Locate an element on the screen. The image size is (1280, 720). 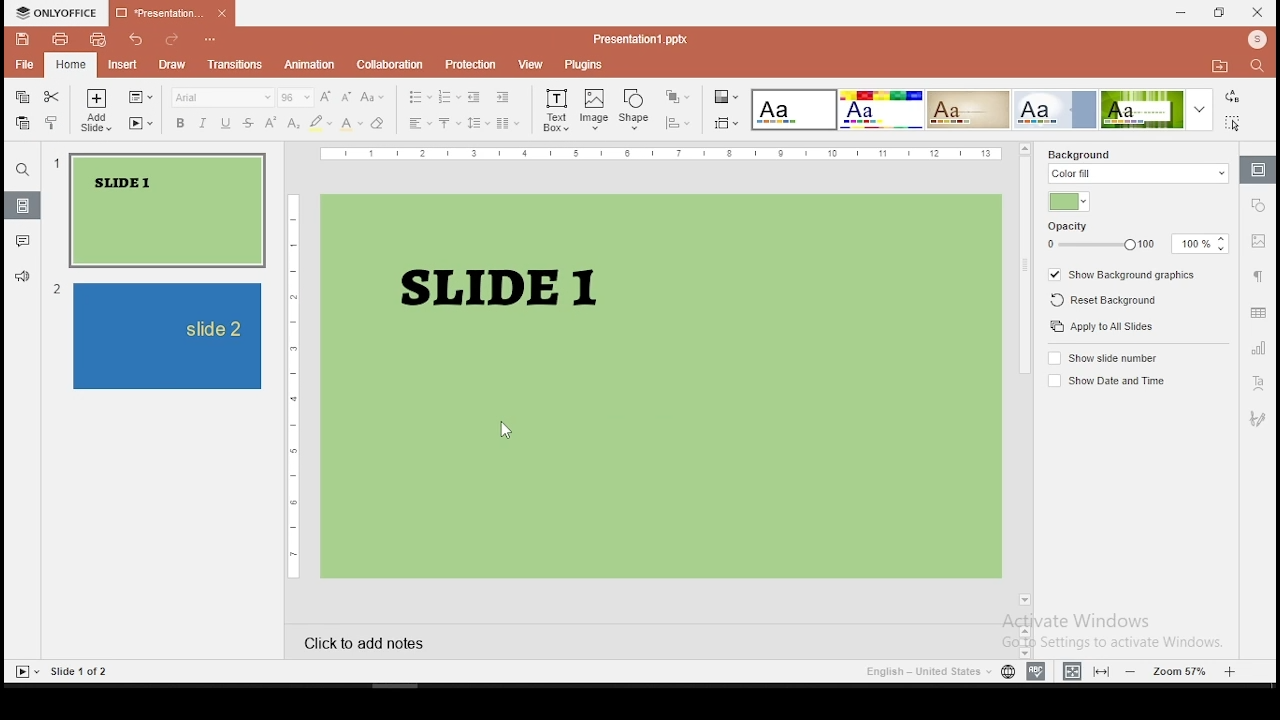
transitions is located at coordinates (236, 64).